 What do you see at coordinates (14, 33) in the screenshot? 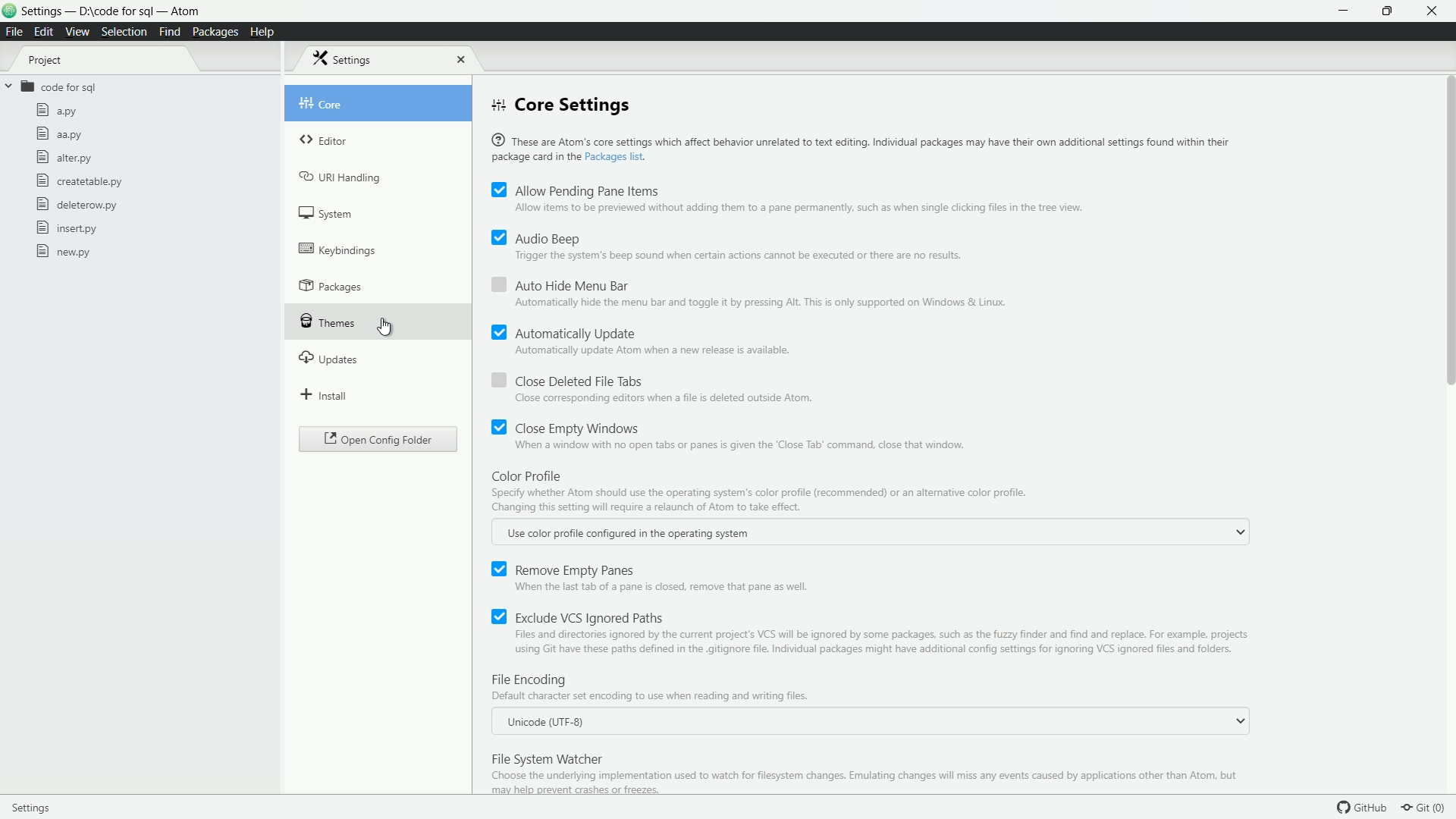
I see `file menu` at bounding box center [14, 33].